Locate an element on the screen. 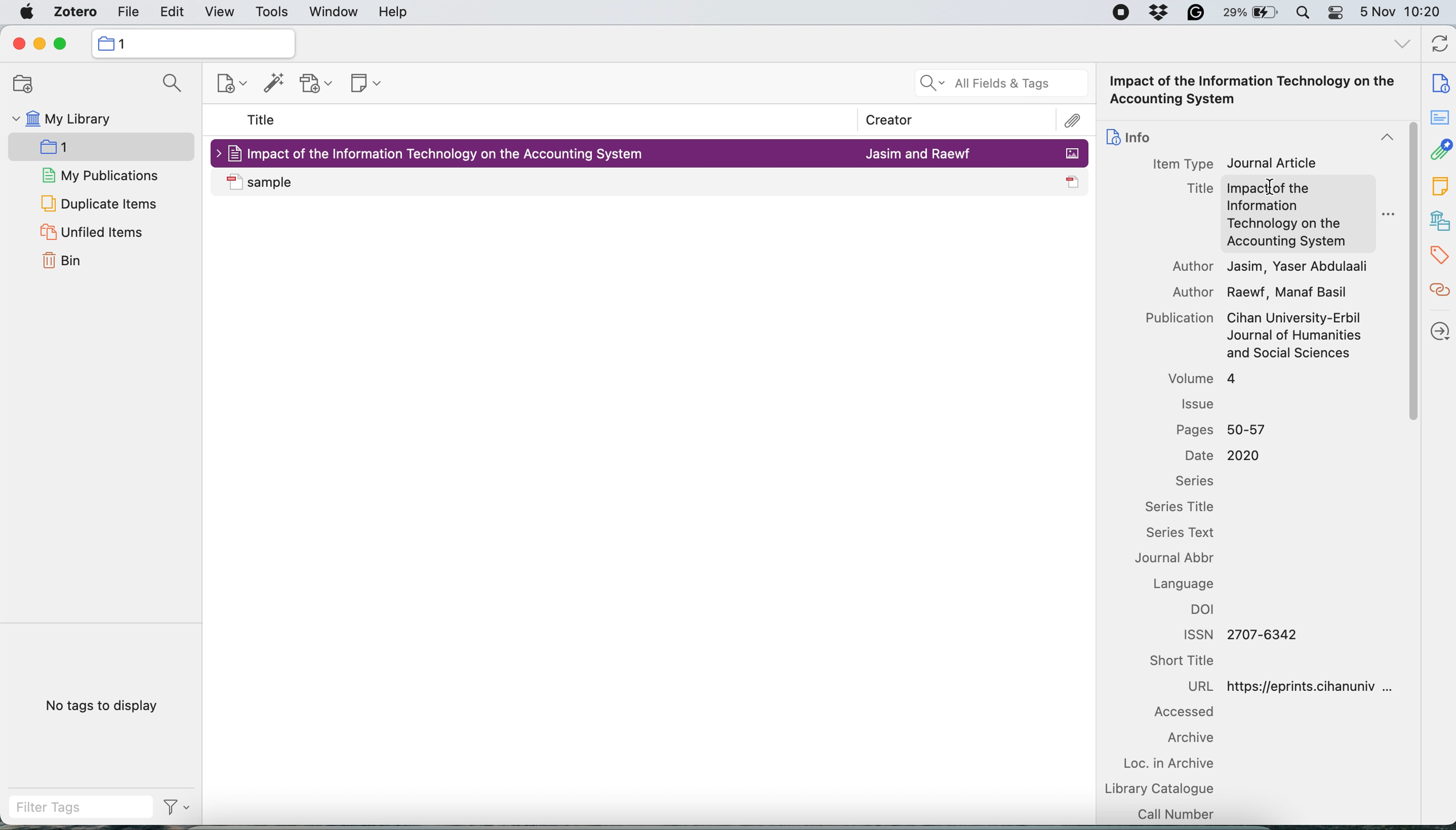  accessed is located at coordinates (1191, 711).